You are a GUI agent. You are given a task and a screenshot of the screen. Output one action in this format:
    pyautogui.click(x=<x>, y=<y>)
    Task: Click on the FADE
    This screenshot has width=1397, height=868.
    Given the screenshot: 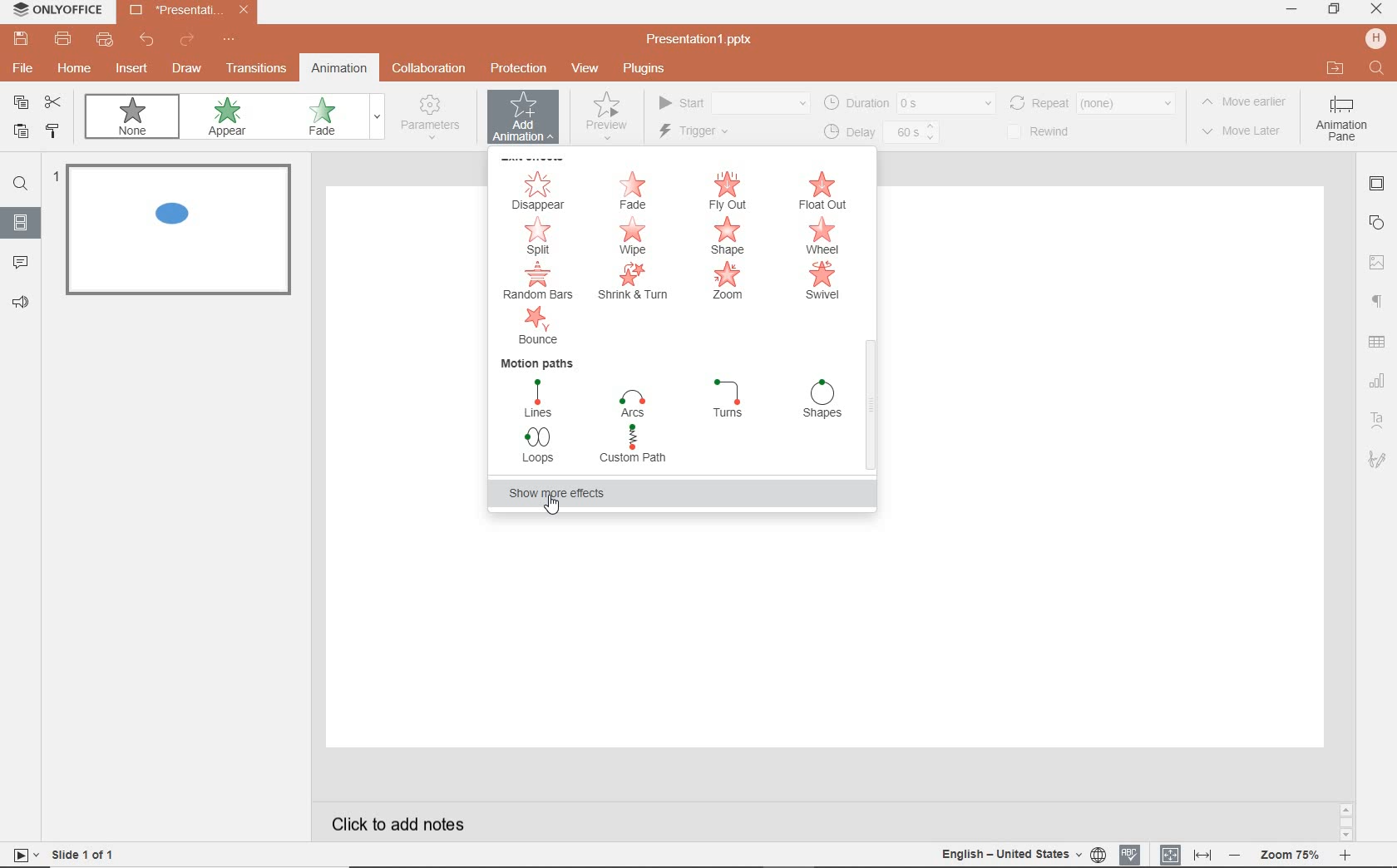 What is the action you would take?
    pyautogui.click(x=635, y=190)
    